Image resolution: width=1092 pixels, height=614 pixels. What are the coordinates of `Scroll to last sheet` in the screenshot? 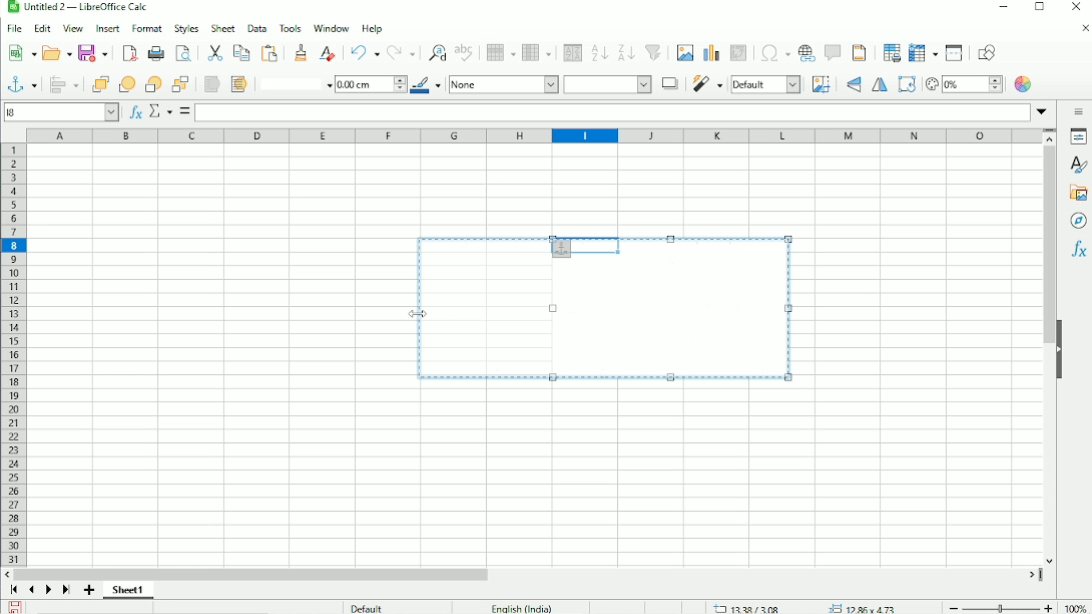 It's located at (66, 591).